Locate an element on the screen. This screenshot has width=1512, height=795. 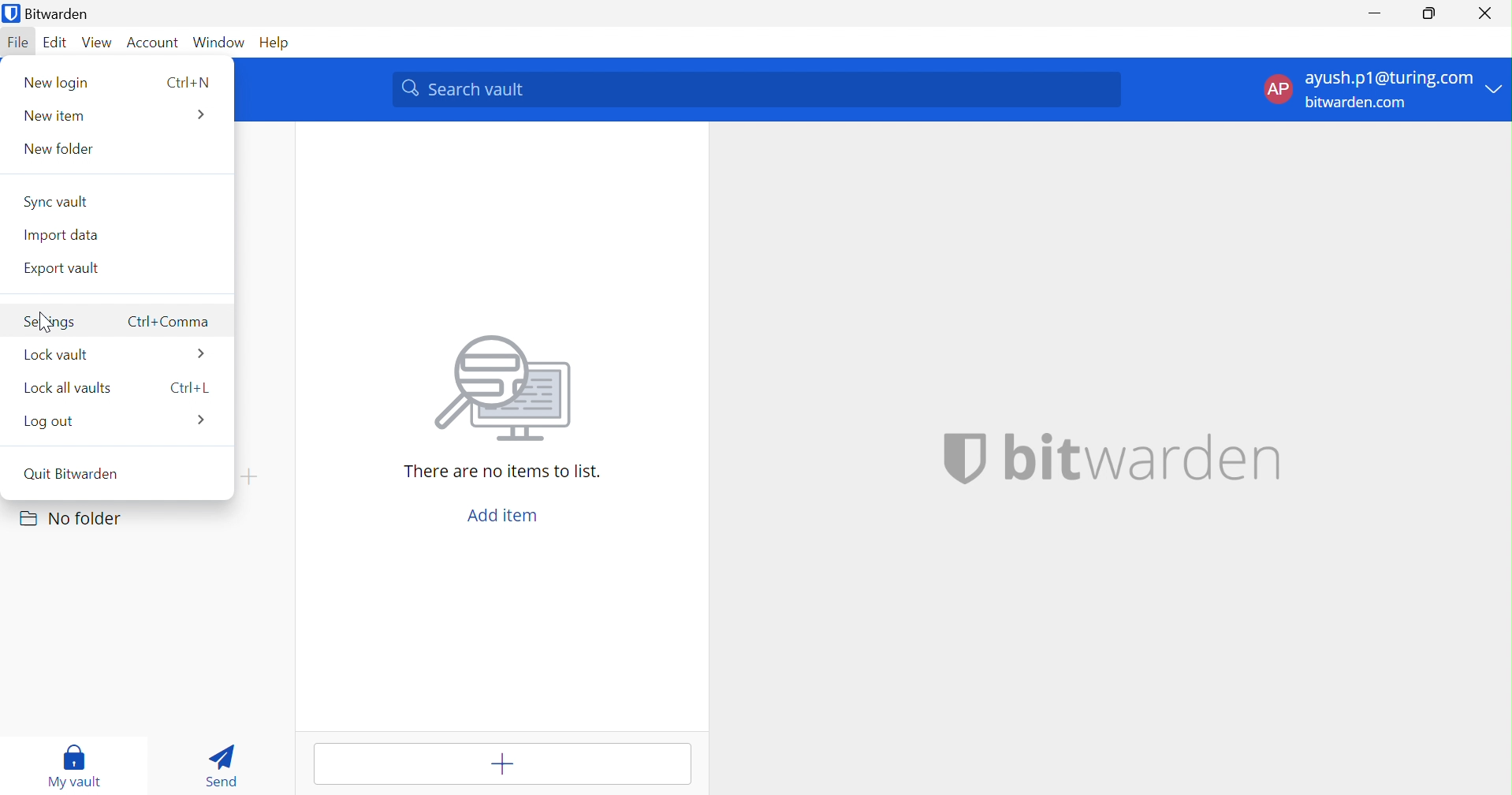
Lock all vaults is located at coordinates (68, 387).